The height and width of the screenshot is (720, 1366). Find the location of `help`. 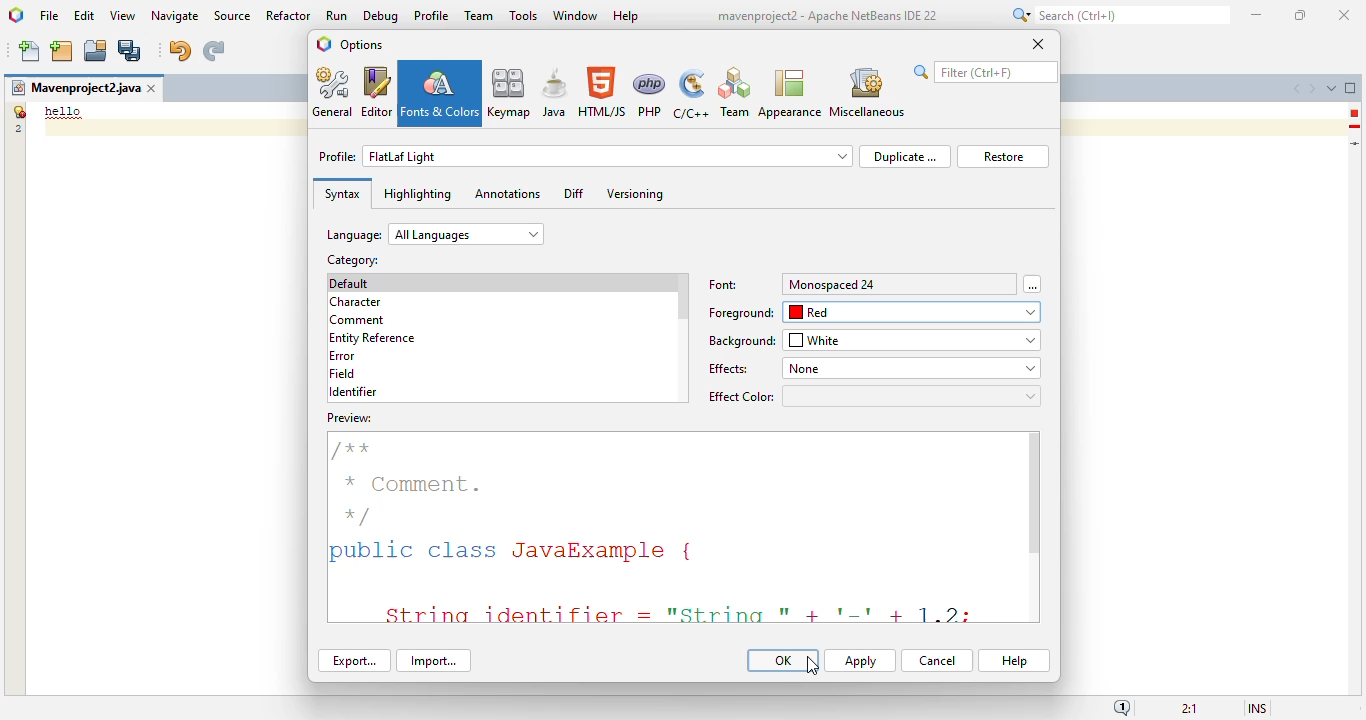

help is located at coordinates (1015, 661).